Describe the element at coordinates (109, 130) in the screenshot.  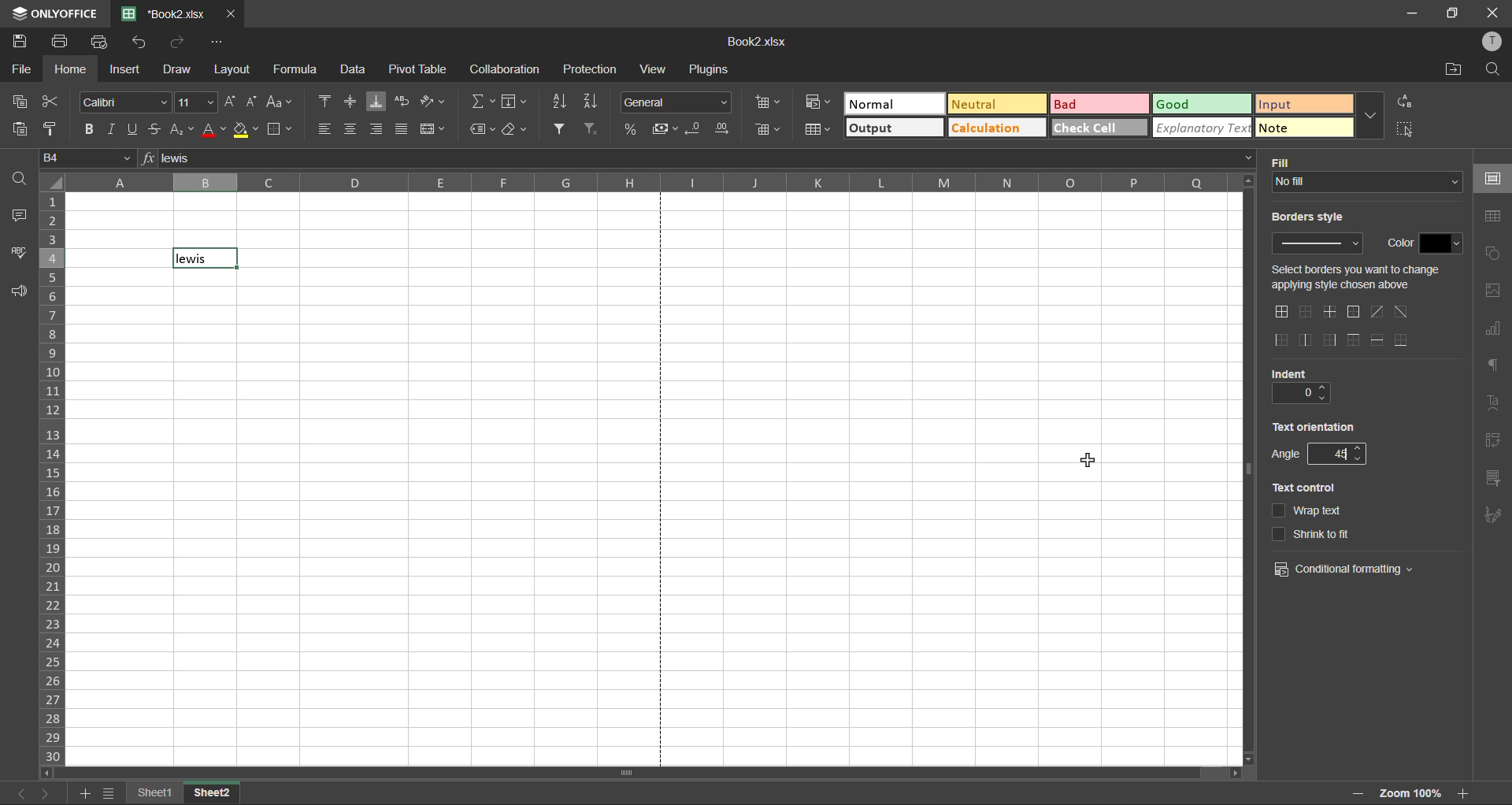
I see `italic` at that location.